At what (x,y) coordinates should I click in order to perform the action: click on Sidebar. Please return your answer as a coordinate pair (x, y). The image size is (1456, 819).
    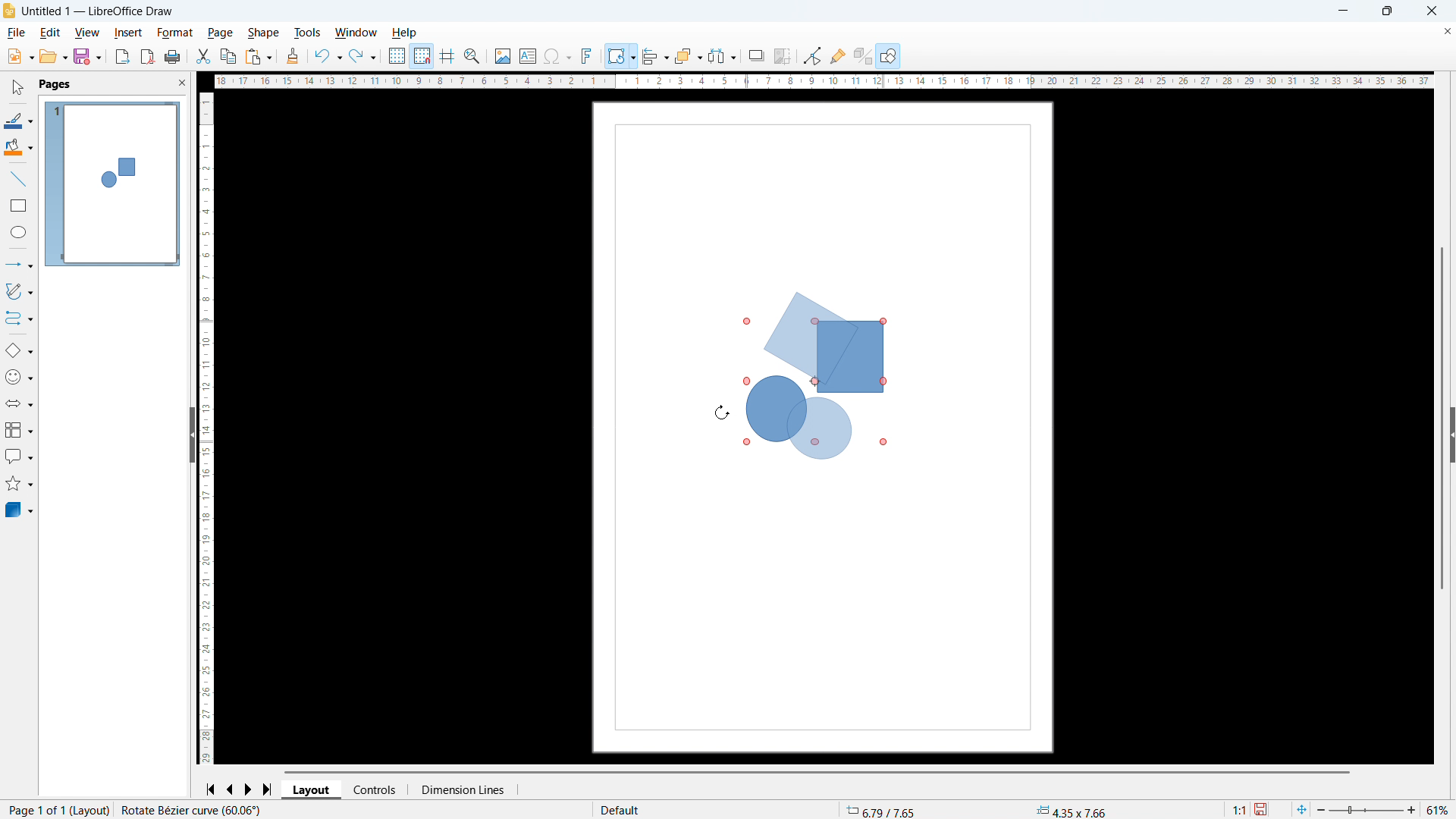
    Looking at the image, I should click on (1447, 434).